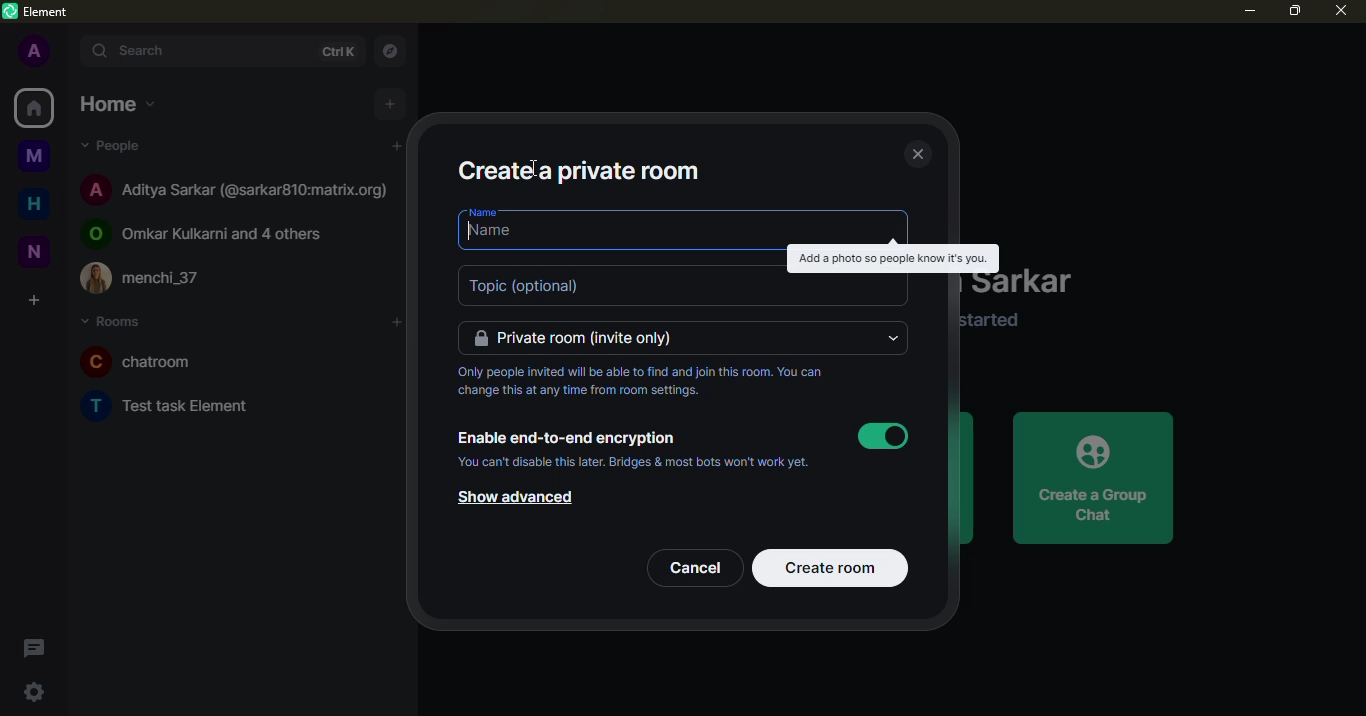  What do you see at coordinates (631, 451) in the screenshot?
I see `Enable end-to-end encryption
You can't disable this later. Bridges & most bots won't work yet.` at bounding box center [631, 451].